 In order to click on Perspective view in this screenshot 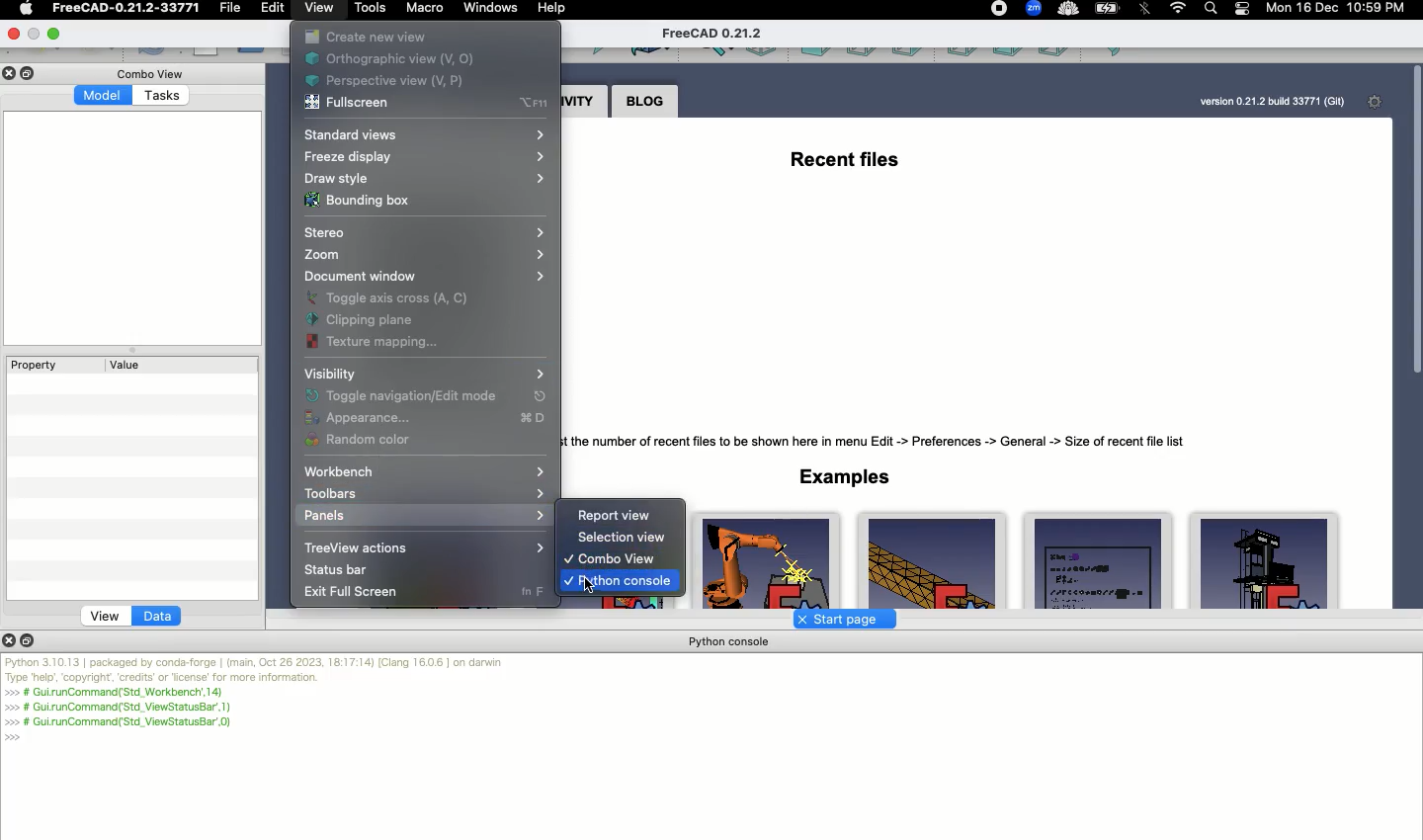, I will do `click(389, 83)`.